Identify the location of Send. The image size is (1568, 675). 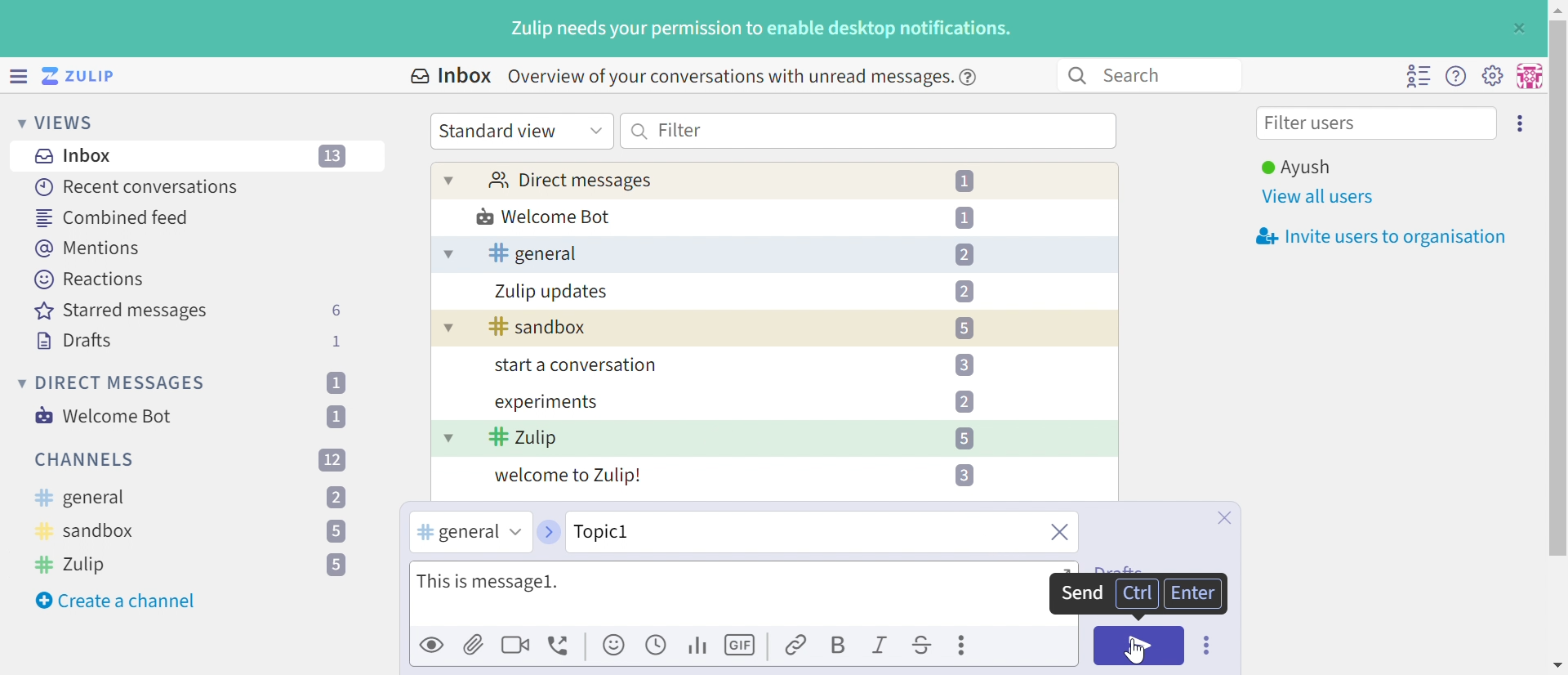
(1080, 593).